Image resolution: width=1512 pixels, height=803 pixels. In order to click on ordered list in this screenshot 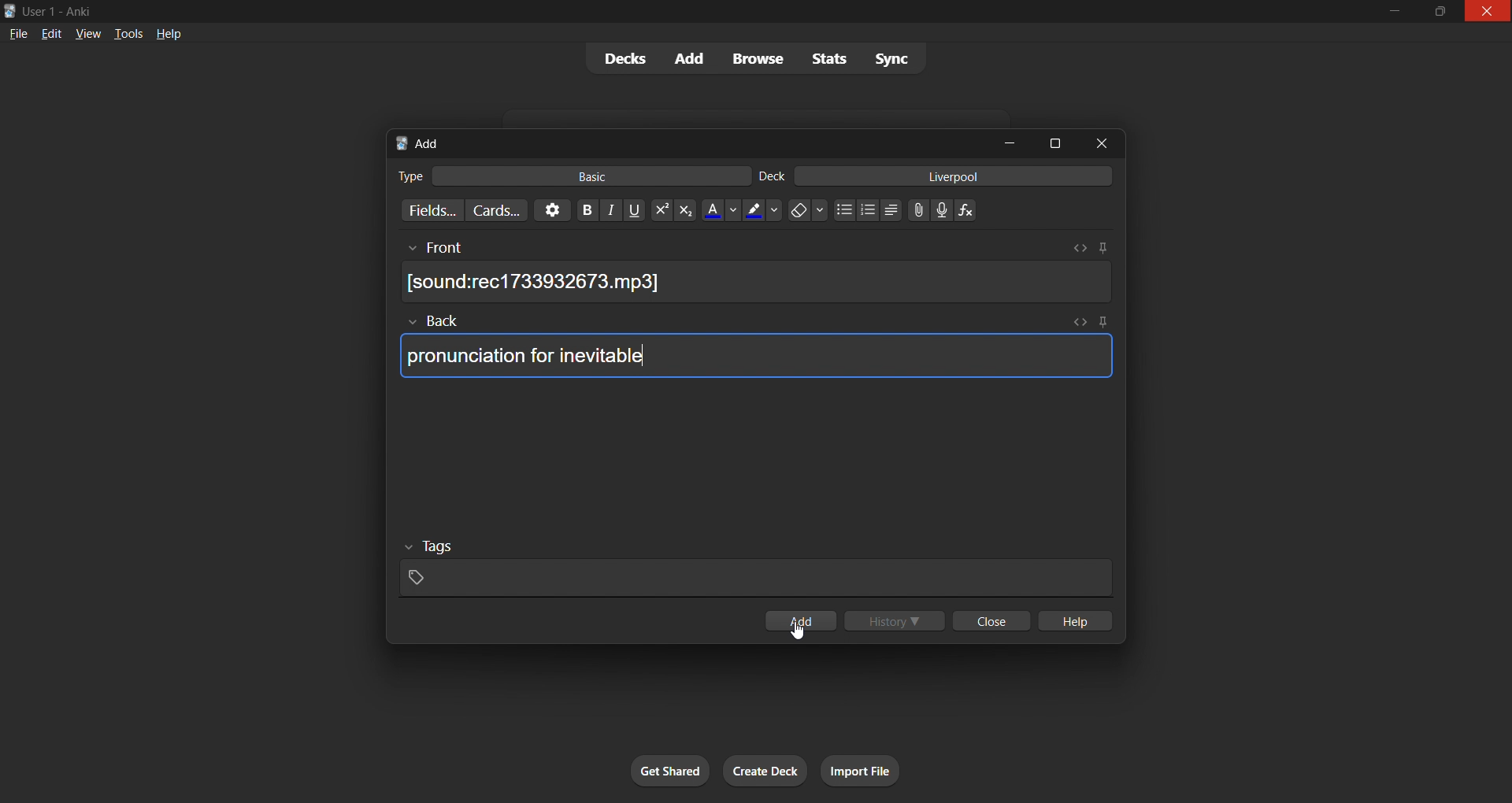, I will do `click(868, 212)`.